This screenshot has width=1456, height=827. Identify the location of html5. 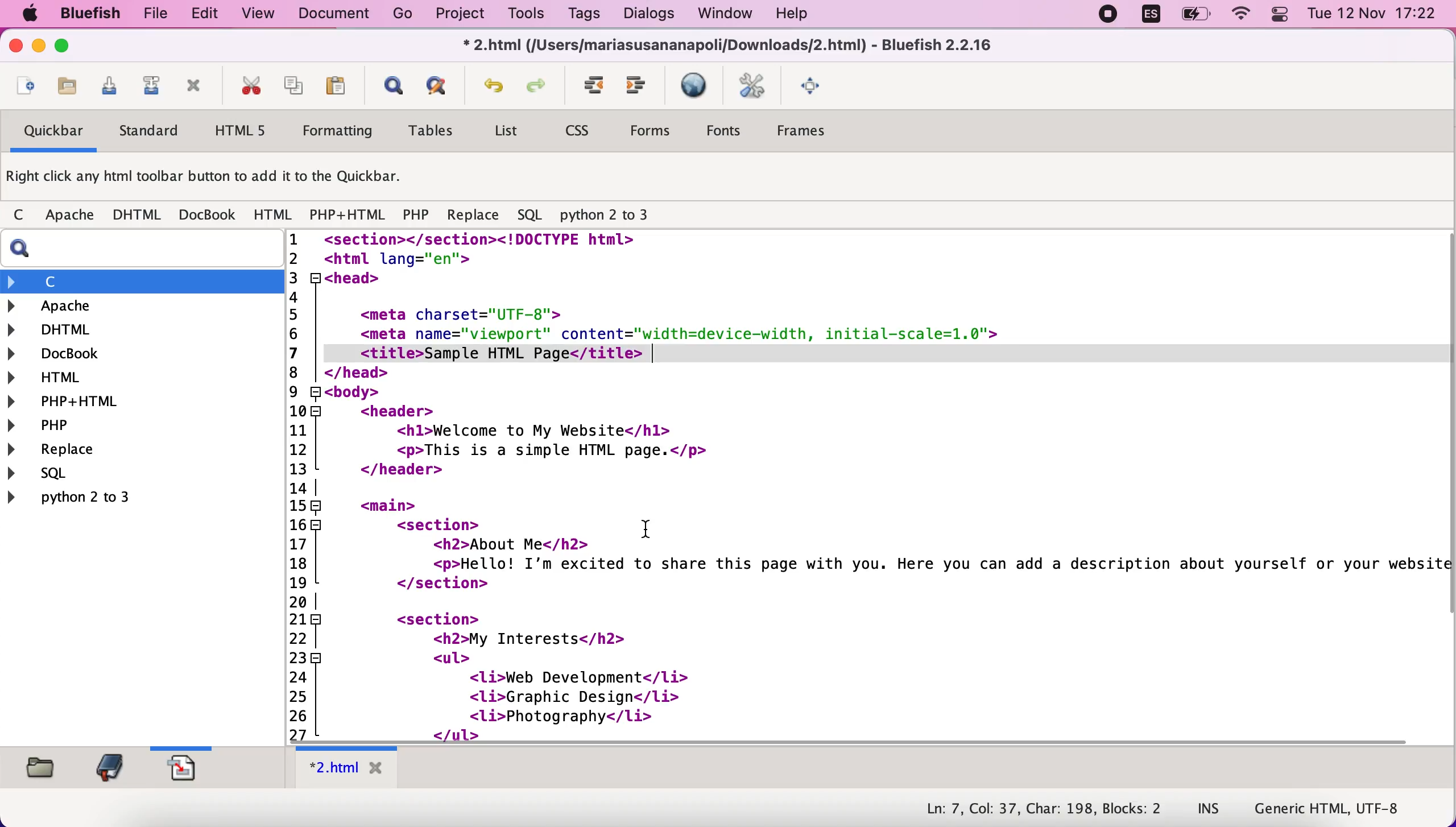
(249, 131).